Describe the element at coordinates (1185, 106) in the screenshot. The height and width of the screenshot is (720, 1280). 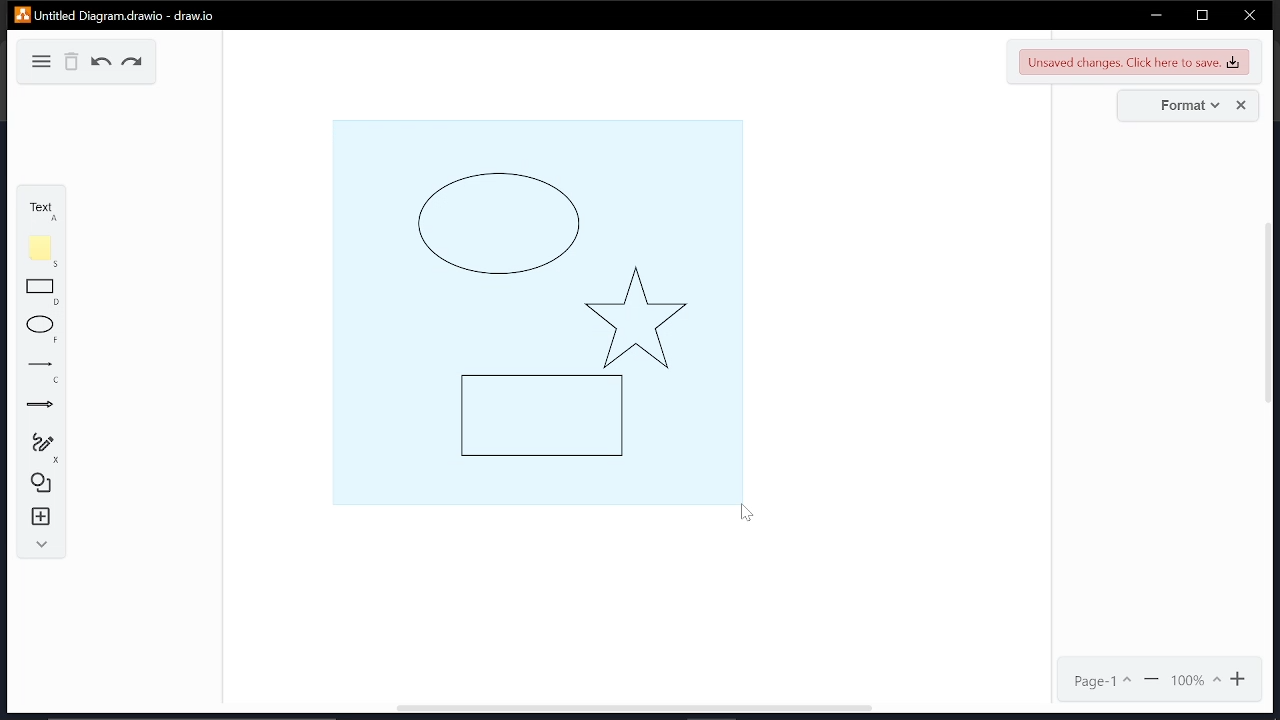
I see `format` at that location.